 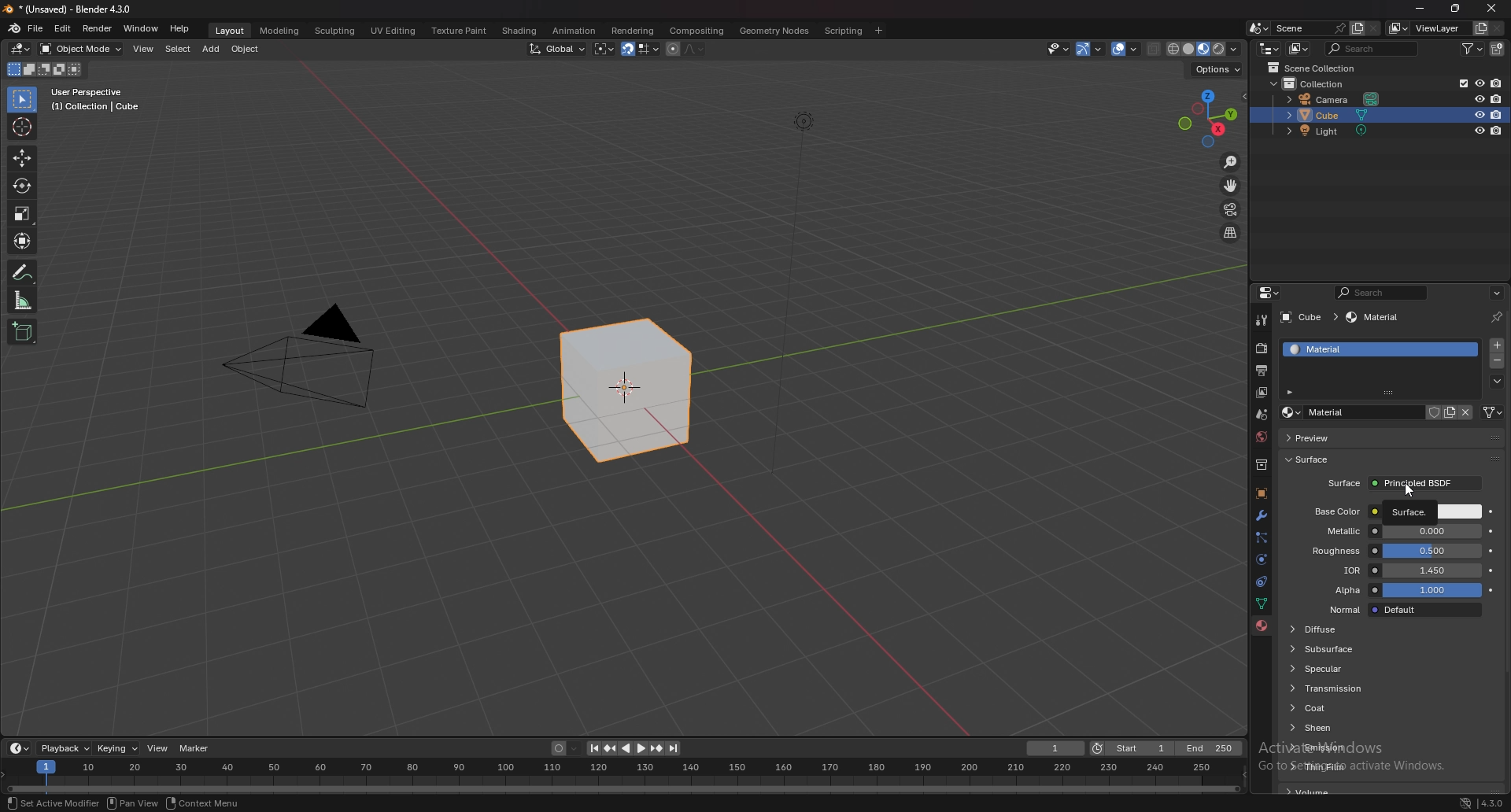 What do you see at coordinates (23, 272) in the screenshot?
I see `annotate` at bounding box center [23, 272].